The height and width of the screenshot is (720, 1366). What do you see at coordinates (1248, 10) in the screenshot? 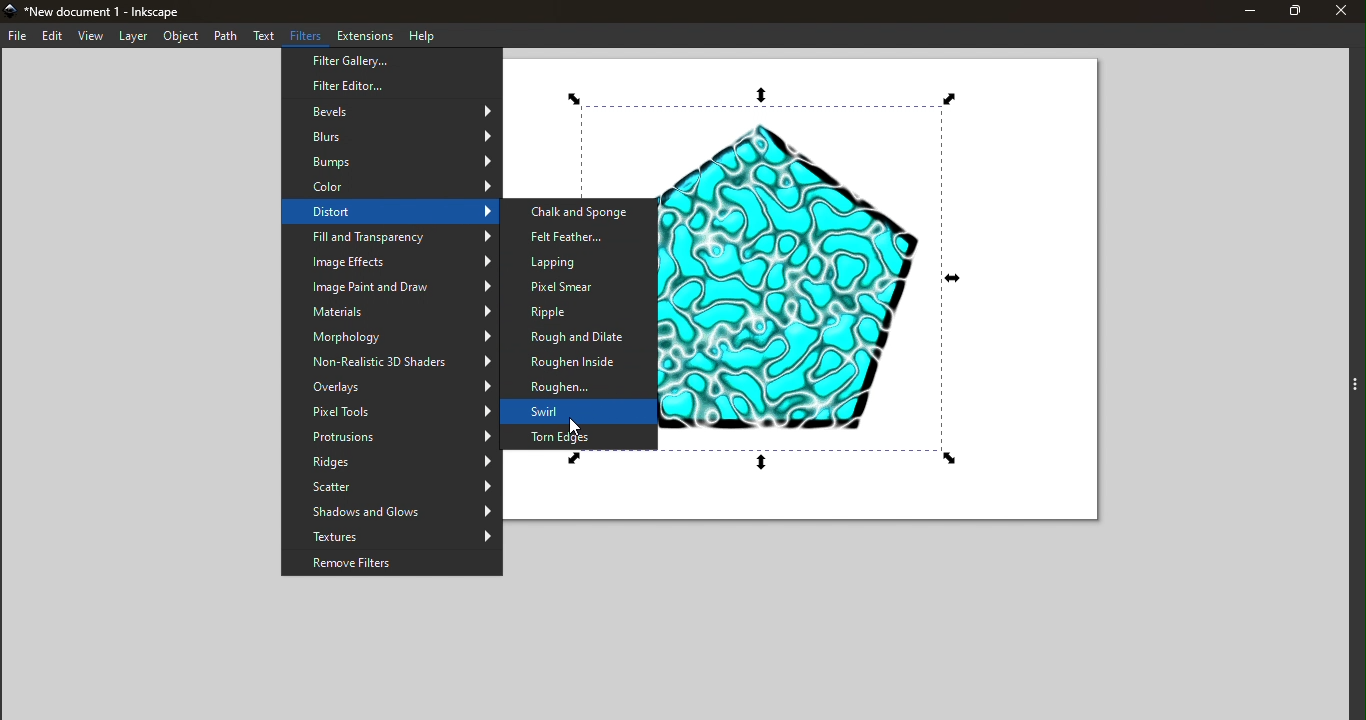
I see `Minimize` at bounding box center [1248, 10].